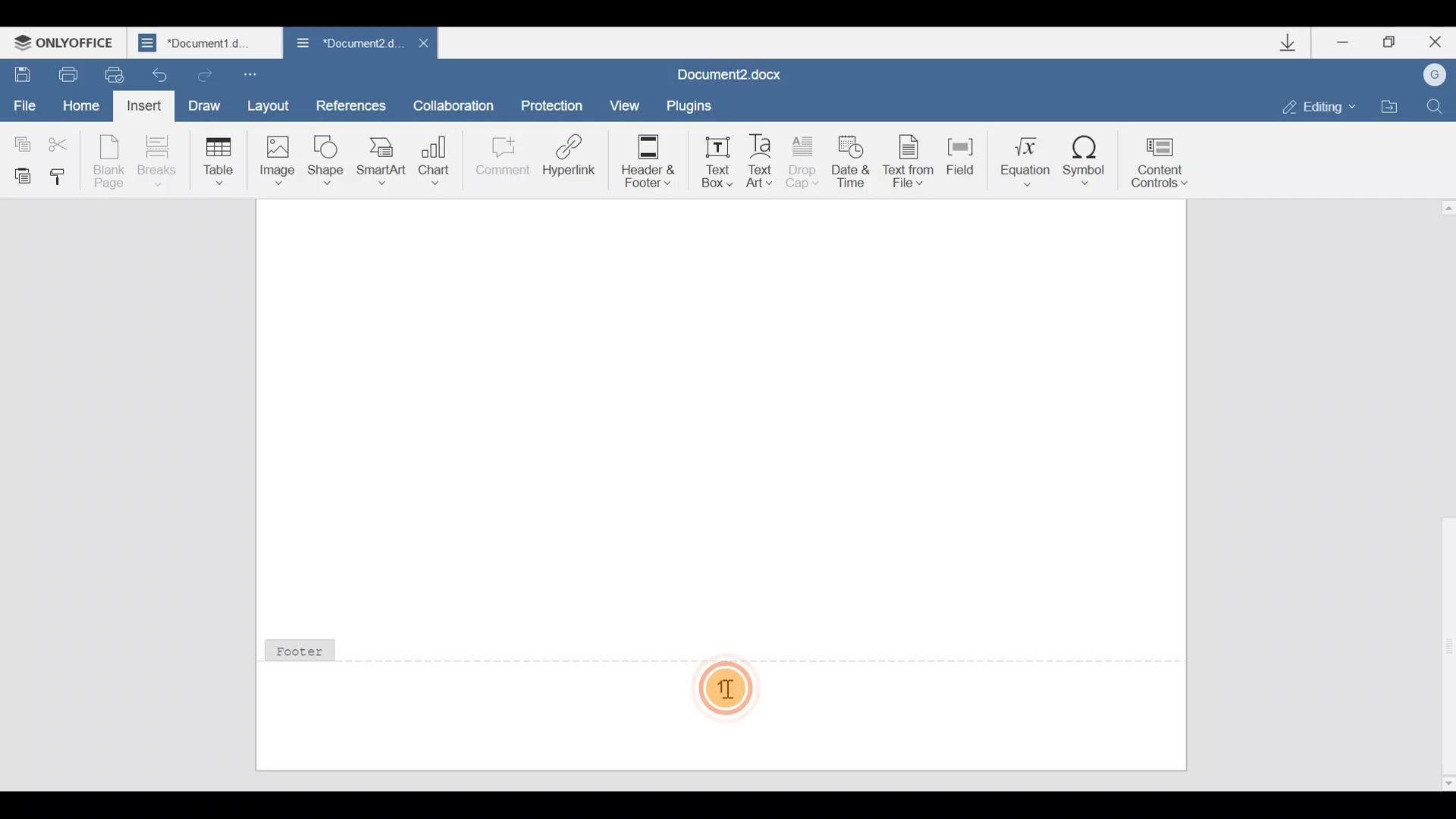  Describe the element at coordinates (161, 74) in the screenshot. I see `Undo` at that location.